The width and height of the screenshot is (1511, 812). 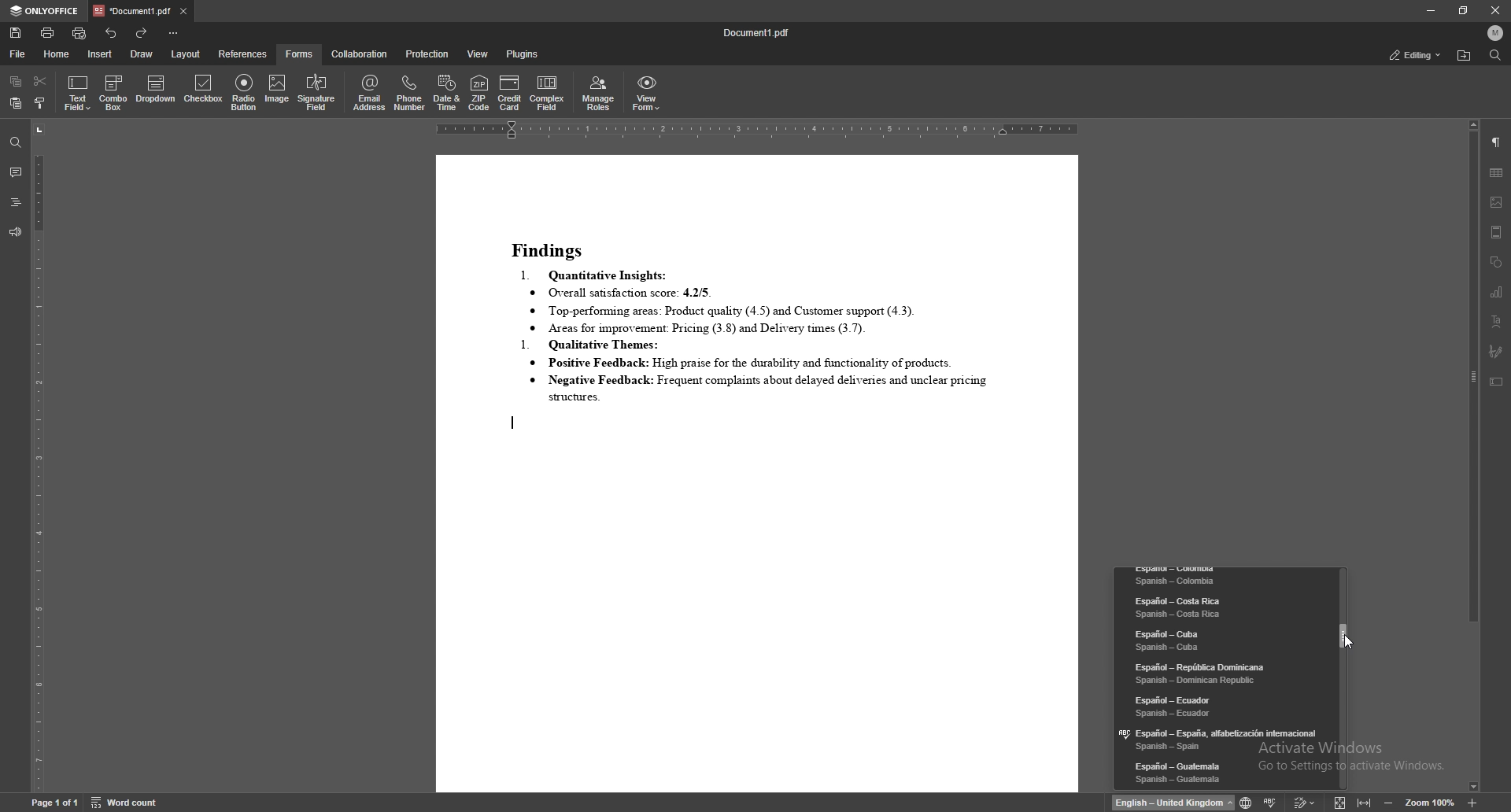 I want to click on locate file, so click(x=1464, y=56).